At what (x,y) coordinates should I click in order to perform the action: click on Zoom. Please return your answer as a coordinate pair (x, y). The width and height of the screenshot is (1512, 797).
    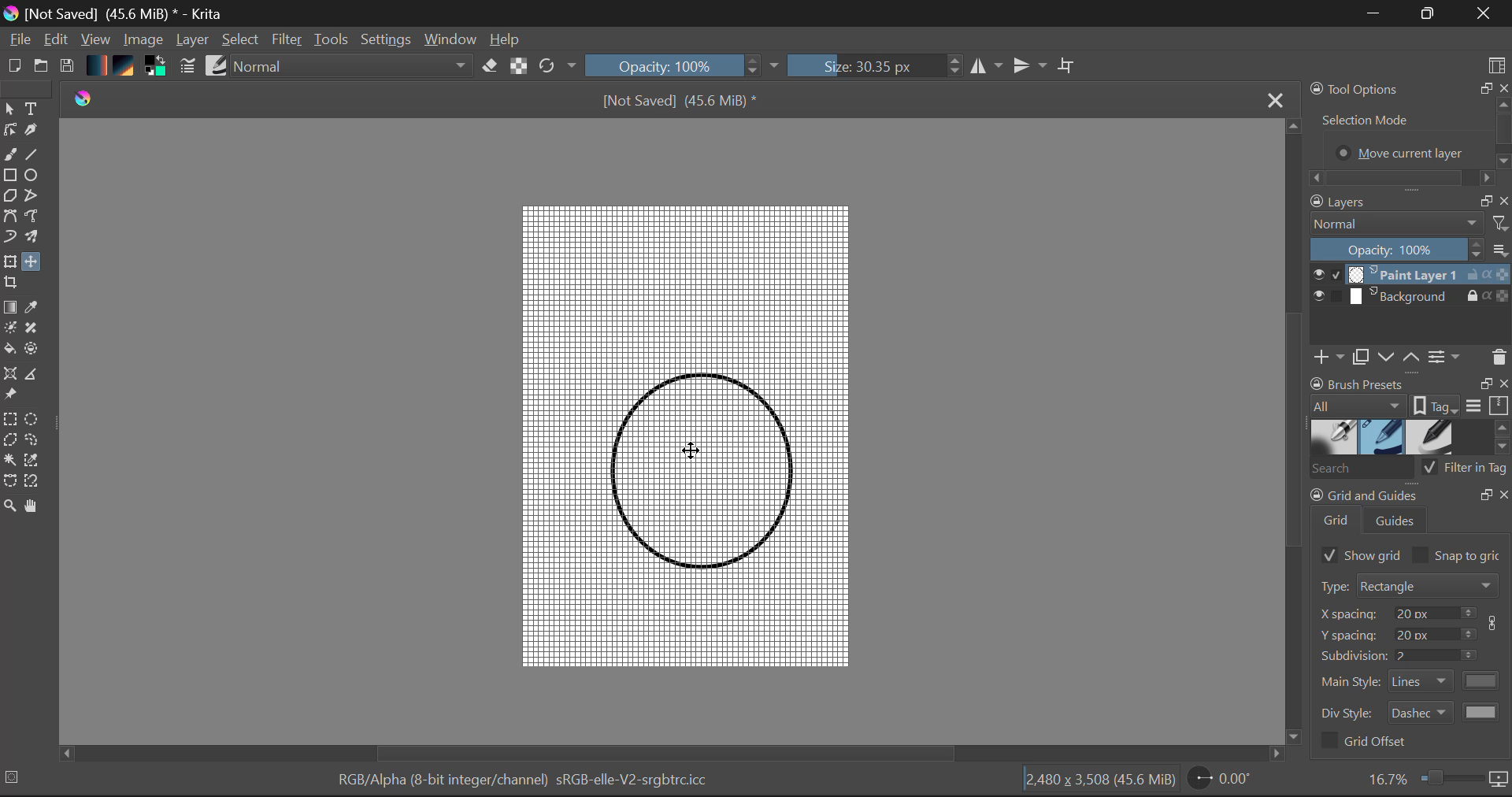
    Looking at the image, I should click on (1436, 780).